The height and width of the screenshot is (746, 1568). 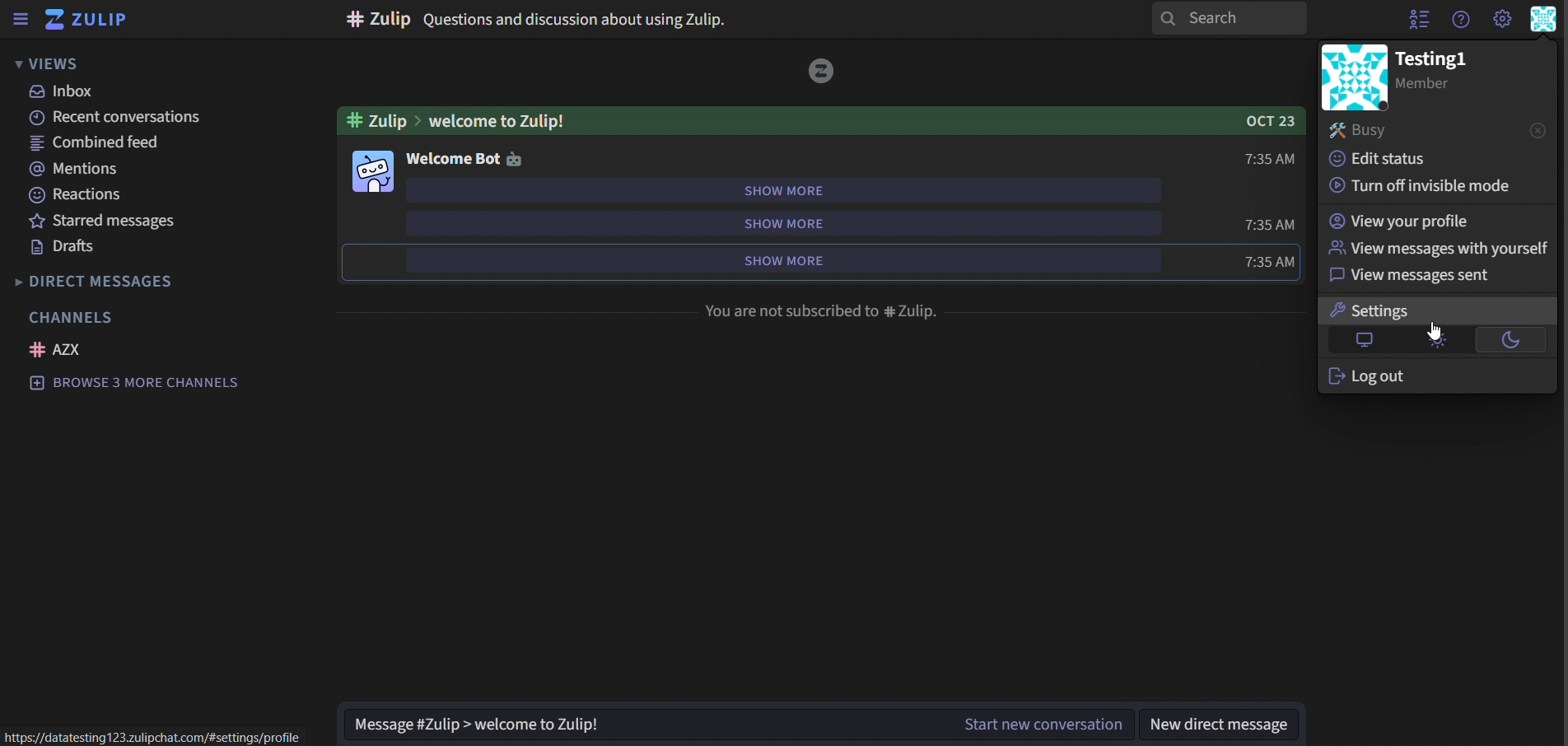 I want to click on close, so click(x=1533, y=130).